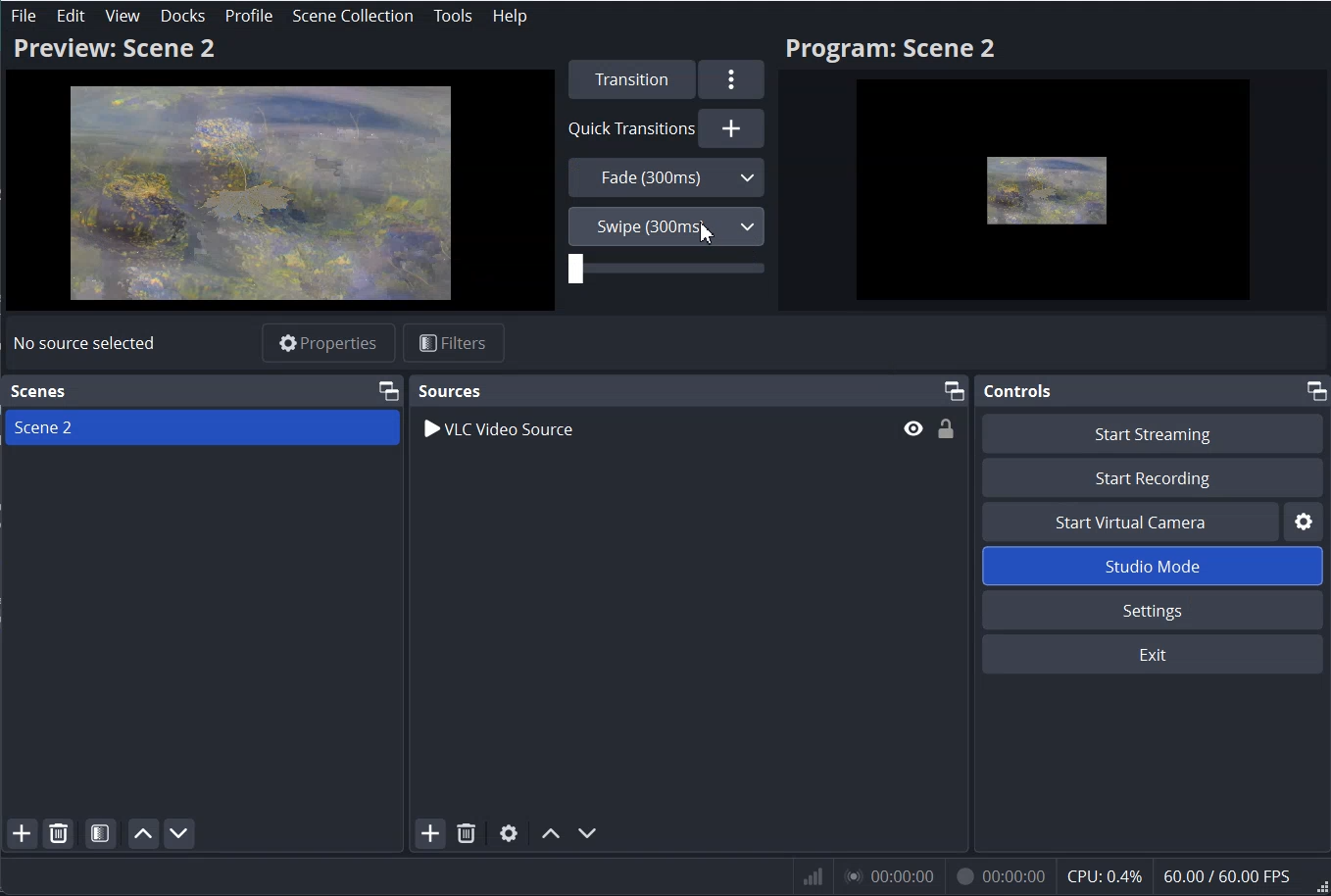 The image size is (1331, 896). Describe the element at coordinates (352, 16) in the screenshot. I see `Scene Collection` at that location.